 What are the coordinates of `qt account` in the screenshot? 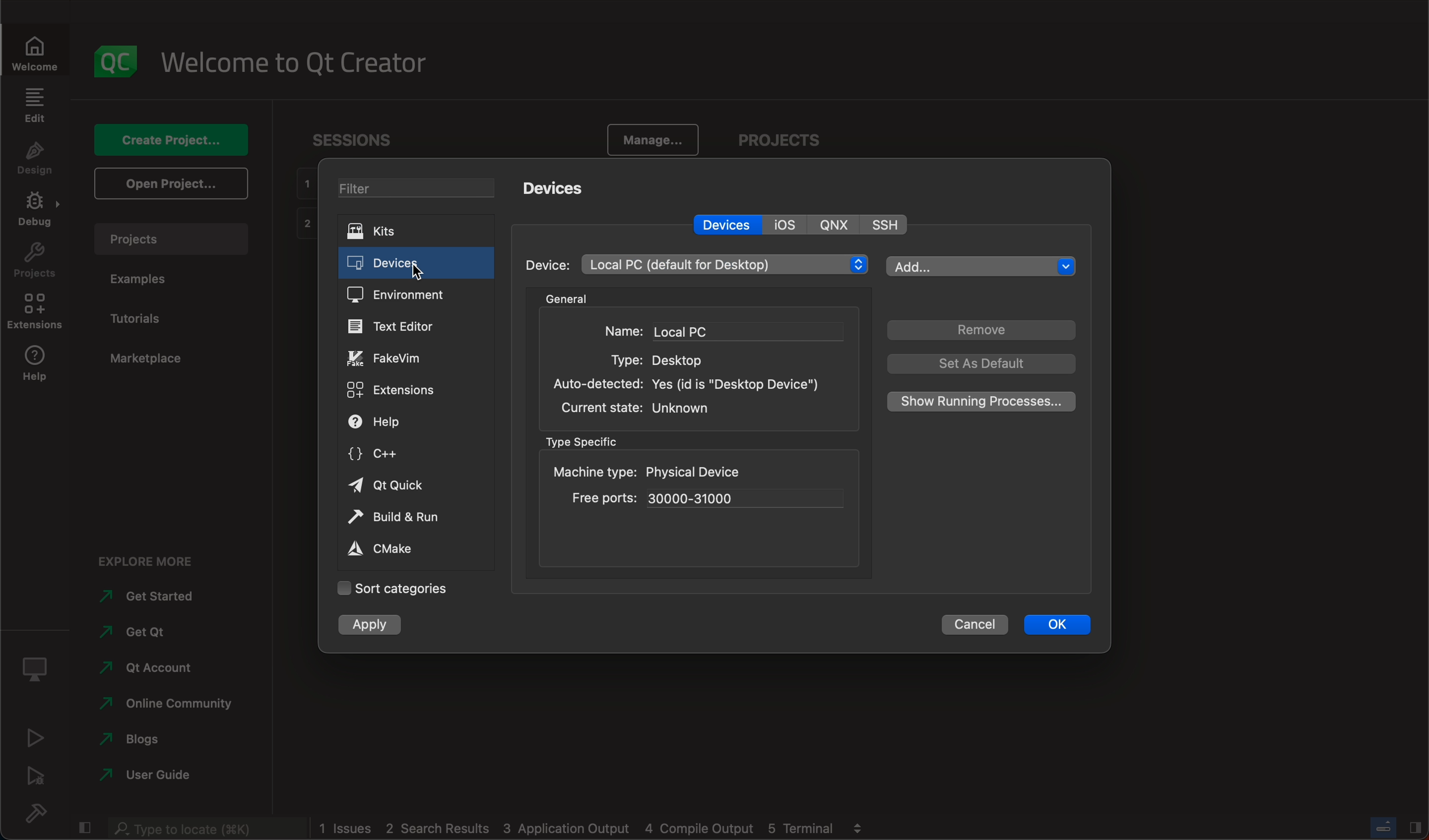 It's located at (162, 665).